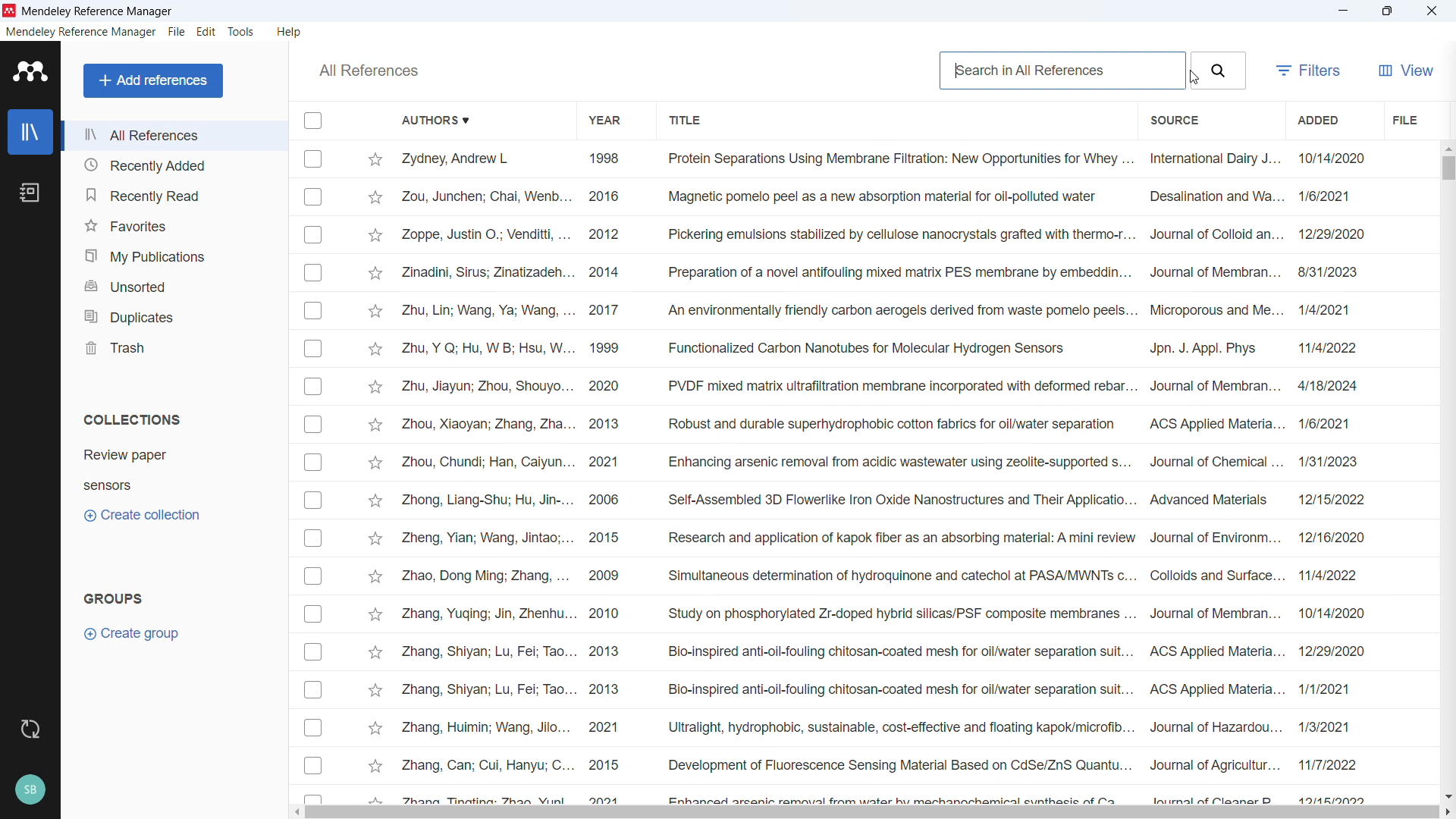 The height and width of the screenshot is (819, 1456). Describe the element at coordinates (1342, 11) in the screenshot. I see `minimise ` at that location.